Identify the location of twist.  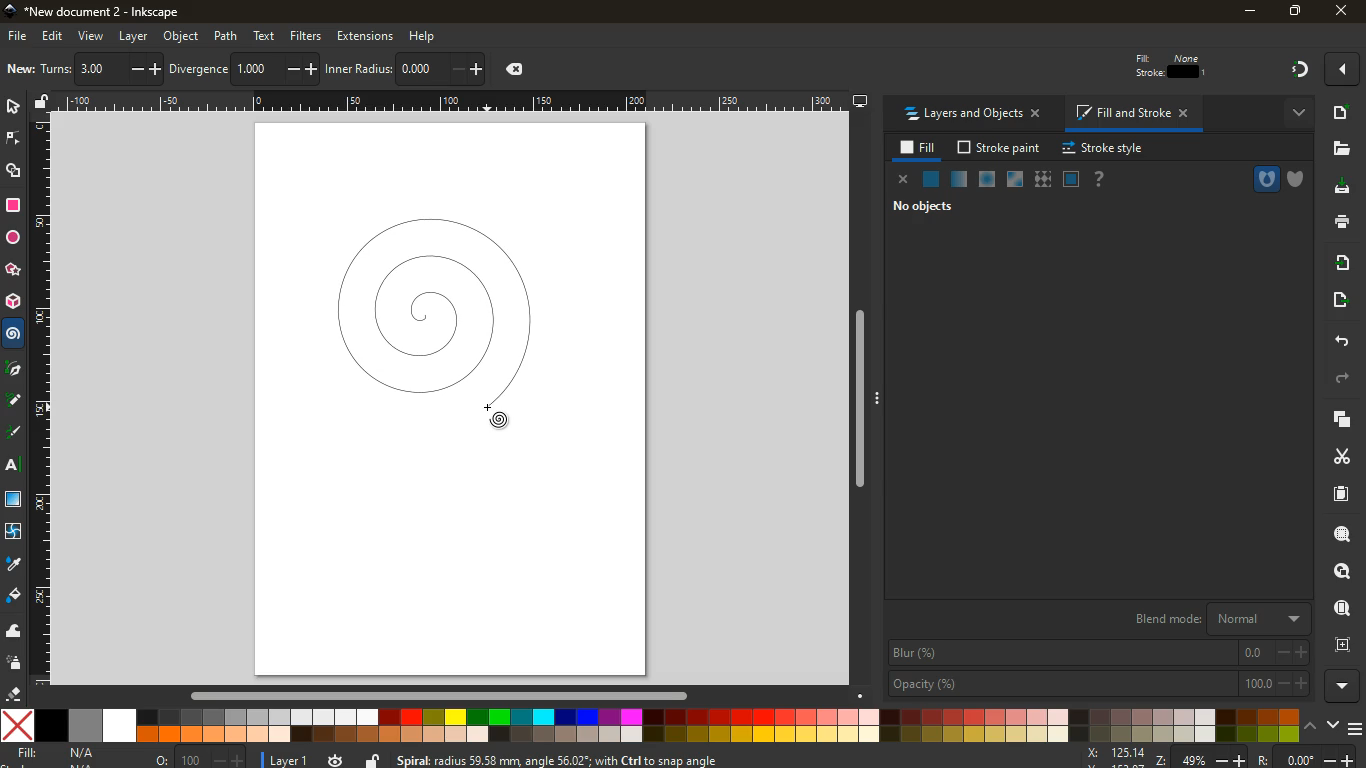
(14, 532).